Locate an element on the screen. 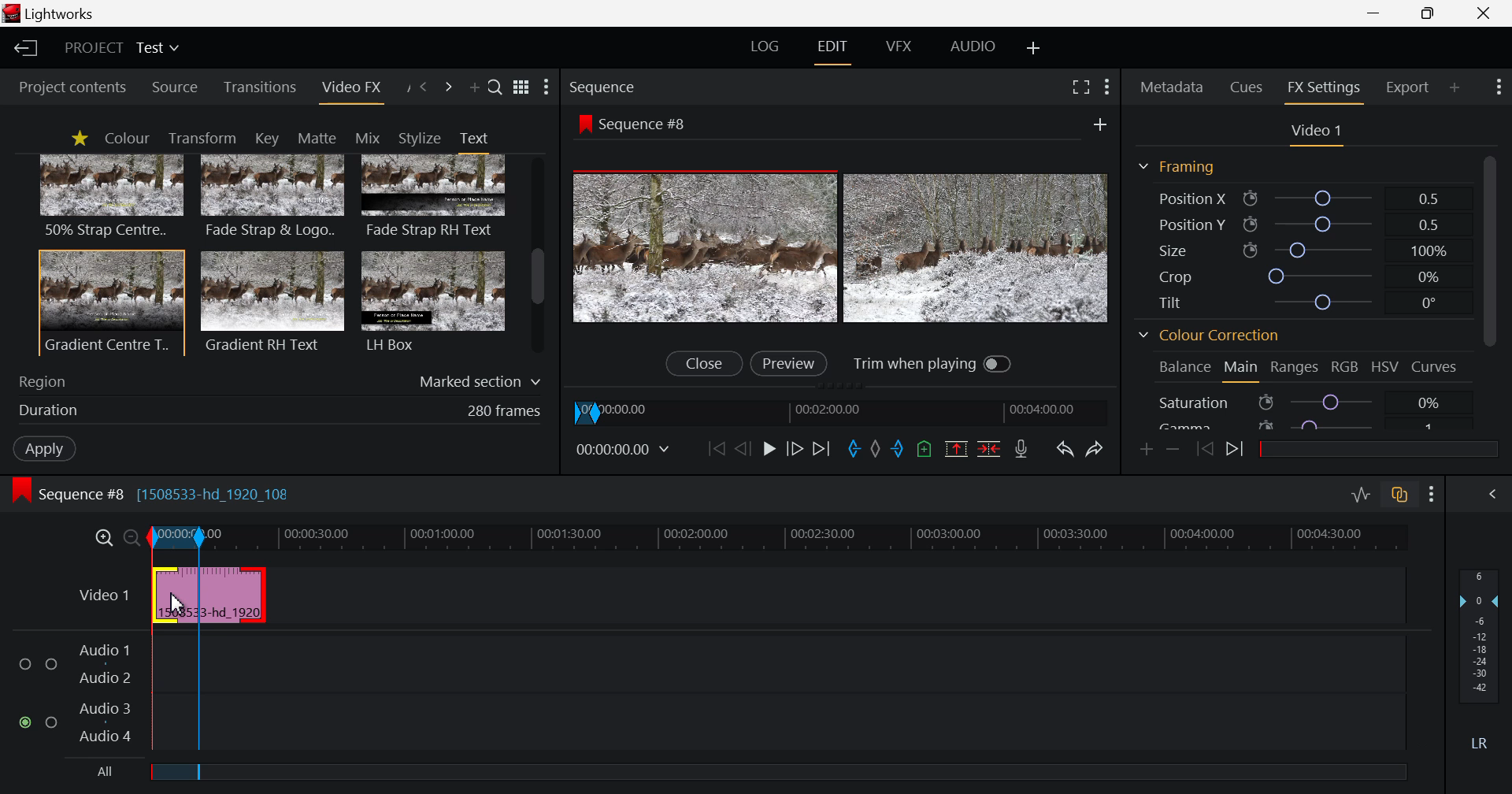 This screenshot has width=1512, height=794. Preview is located at coordinates (788, 362).